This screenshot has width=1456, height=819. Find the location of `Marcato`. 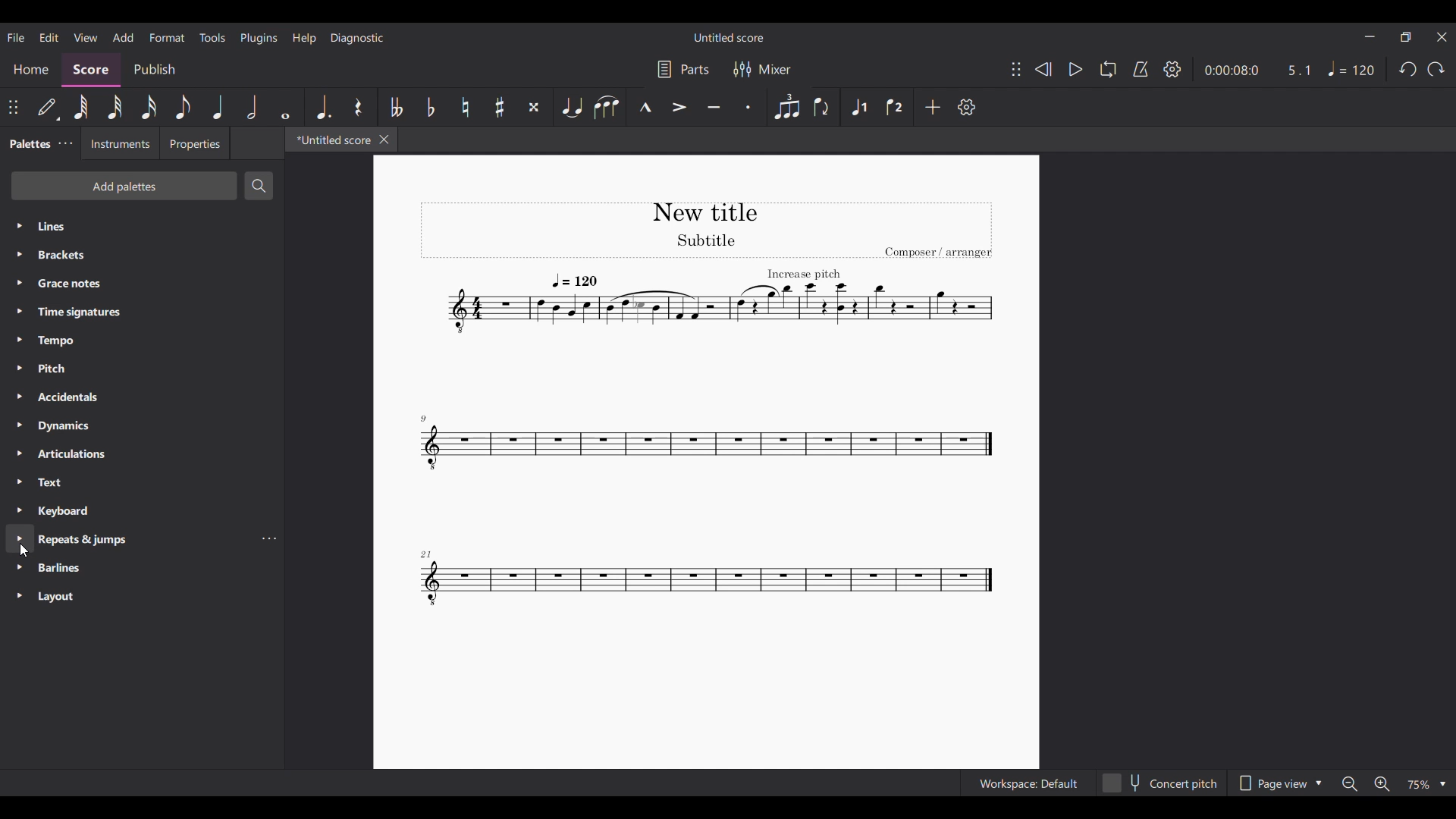

Marcato is located at coordinates (645, 107).